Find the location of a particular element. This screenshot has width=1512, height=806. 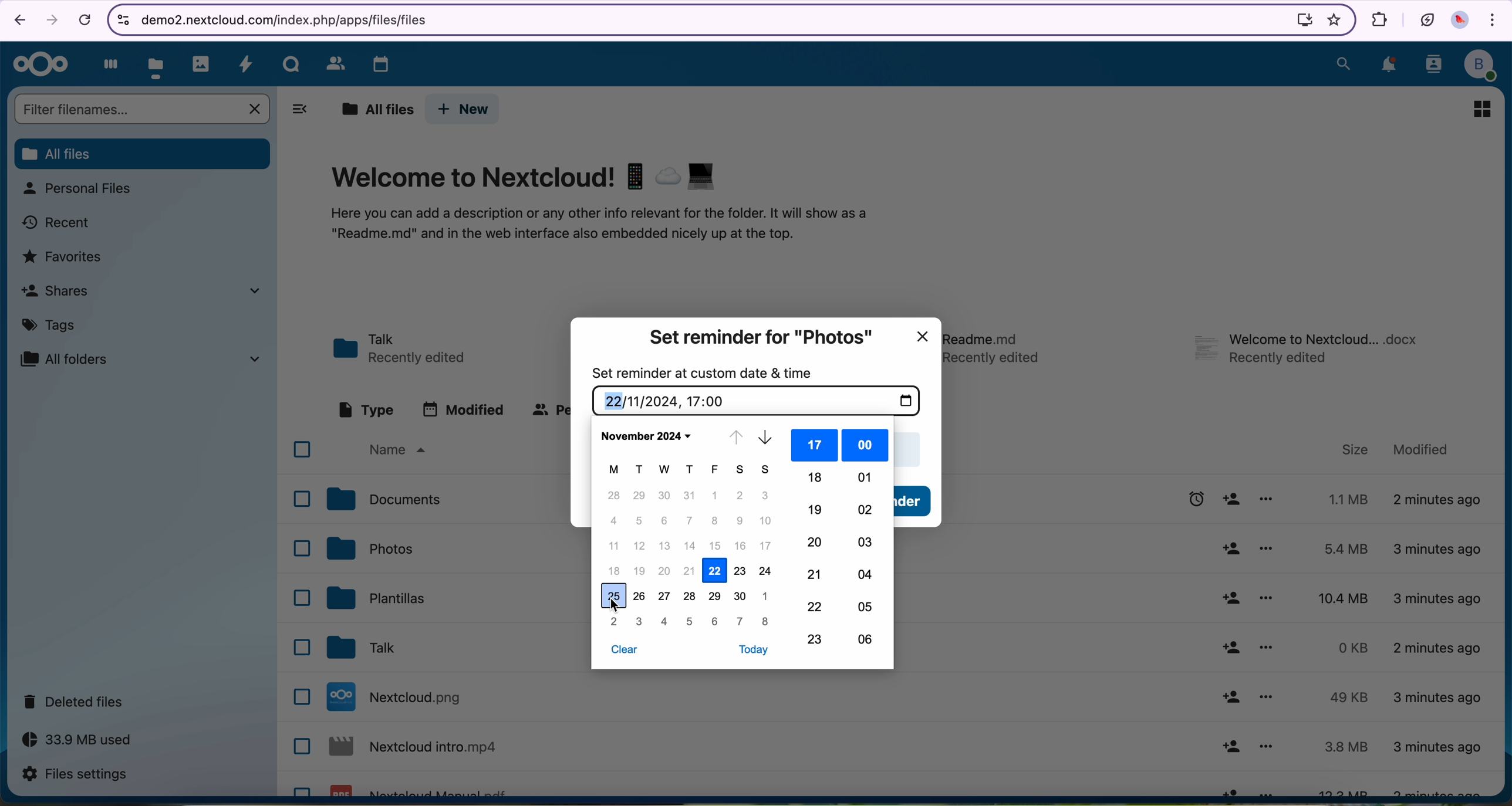

people is located at coordinates (547, 411).